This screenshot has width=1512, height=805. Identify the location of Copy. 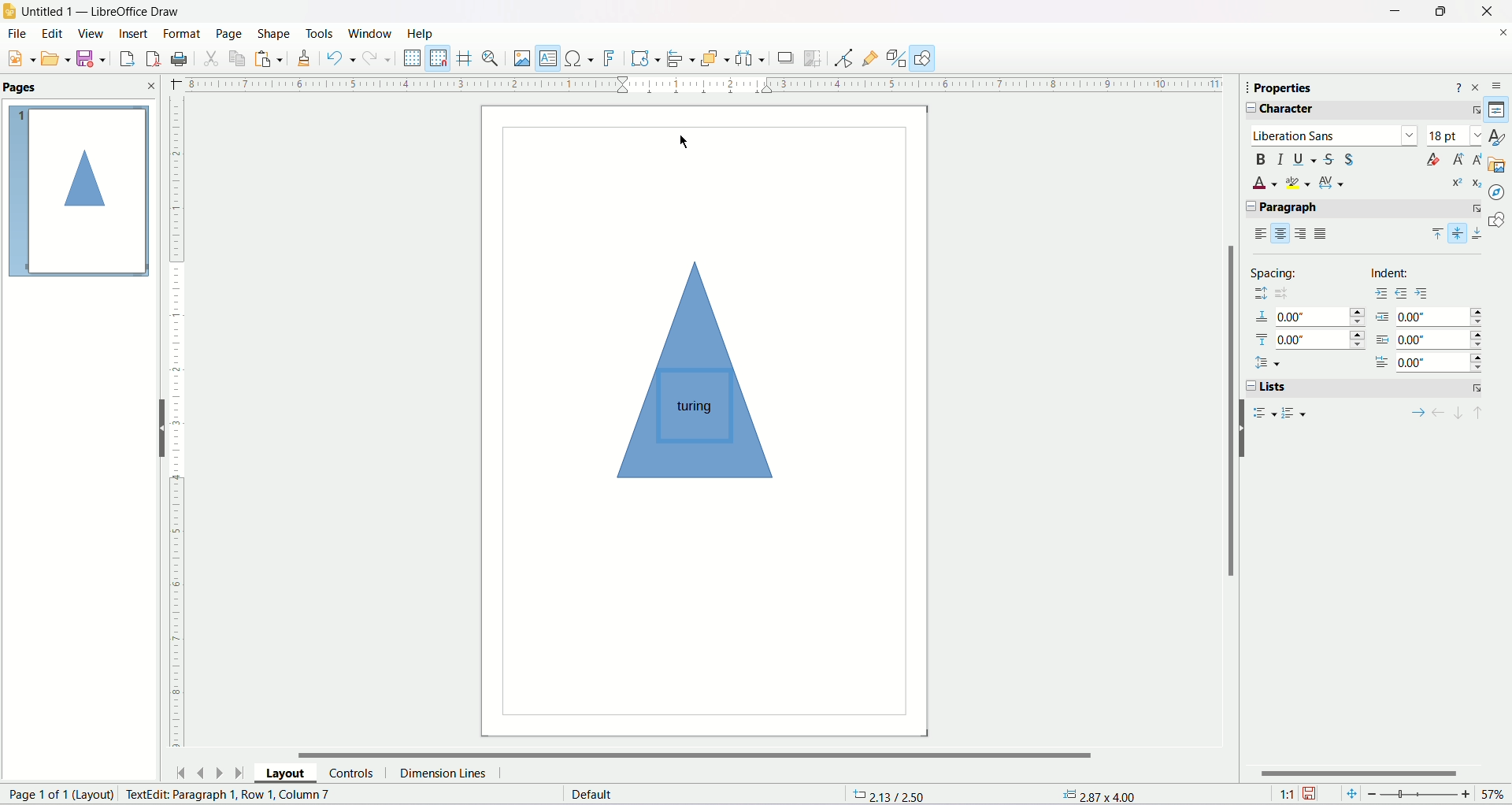
(237, 58).